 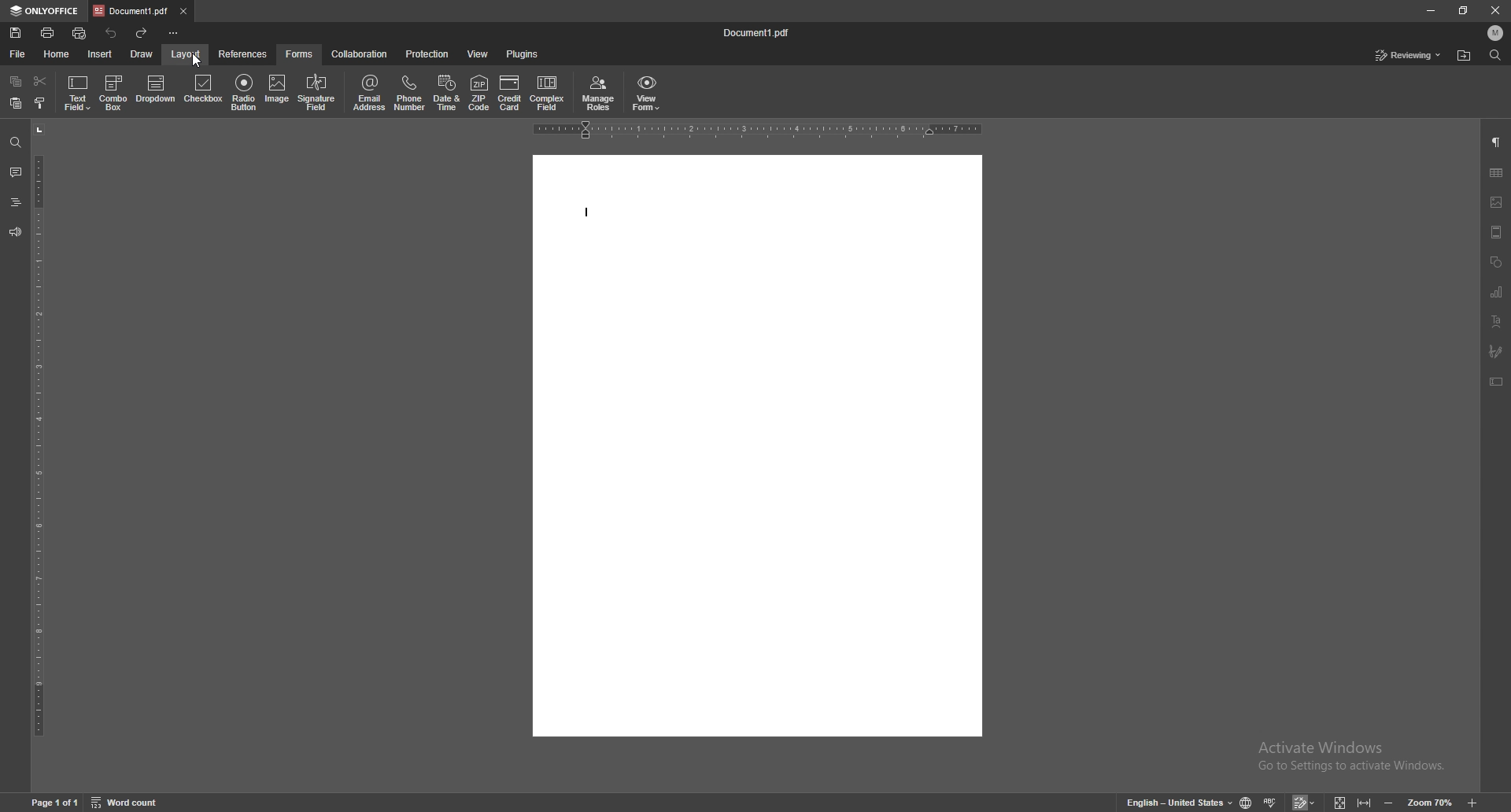 I want to click on file, so click(x=17, y=54).